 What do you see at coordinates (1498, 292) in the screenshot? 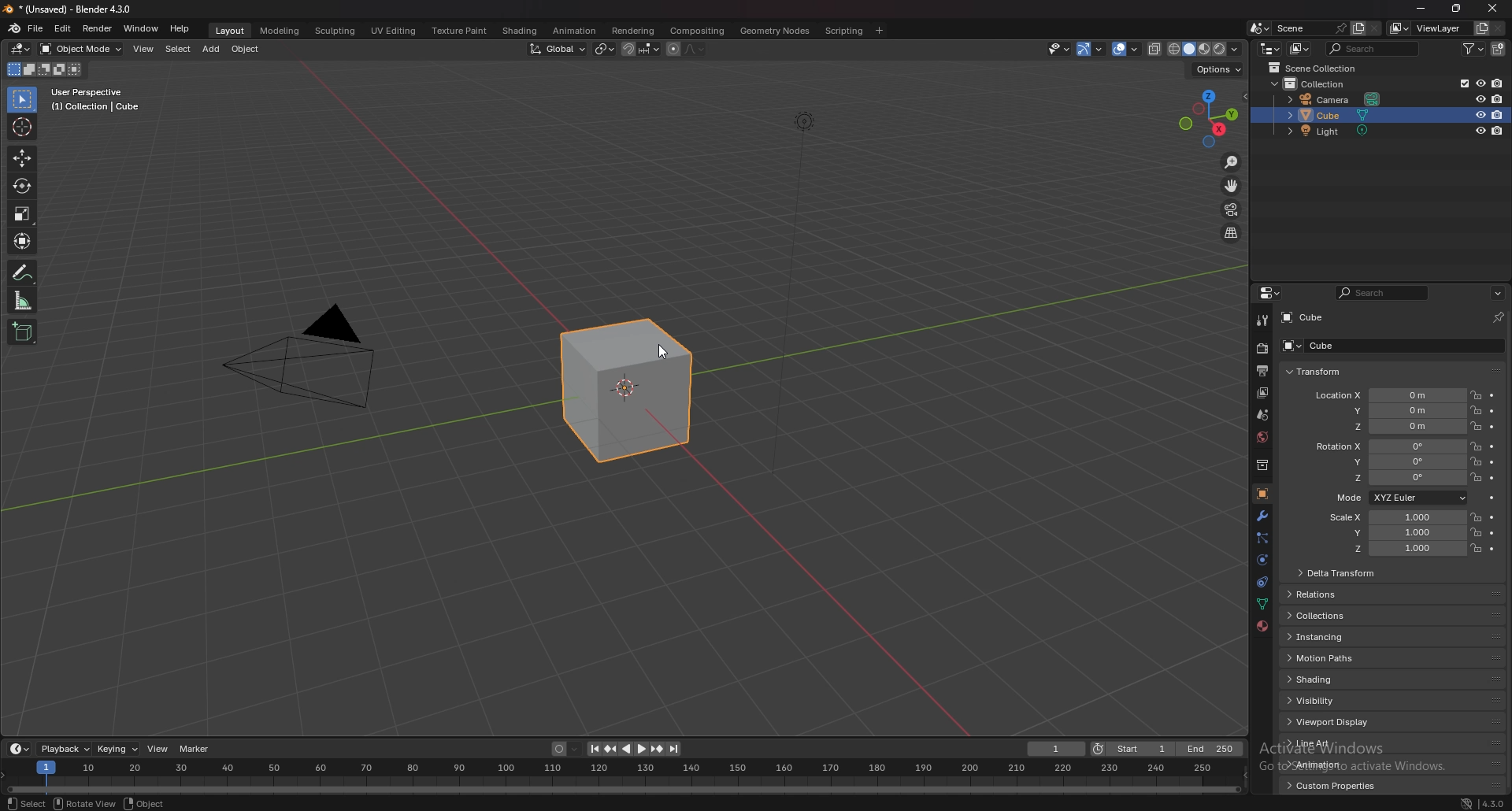
I see `options` at bounding box center [1498, 292].